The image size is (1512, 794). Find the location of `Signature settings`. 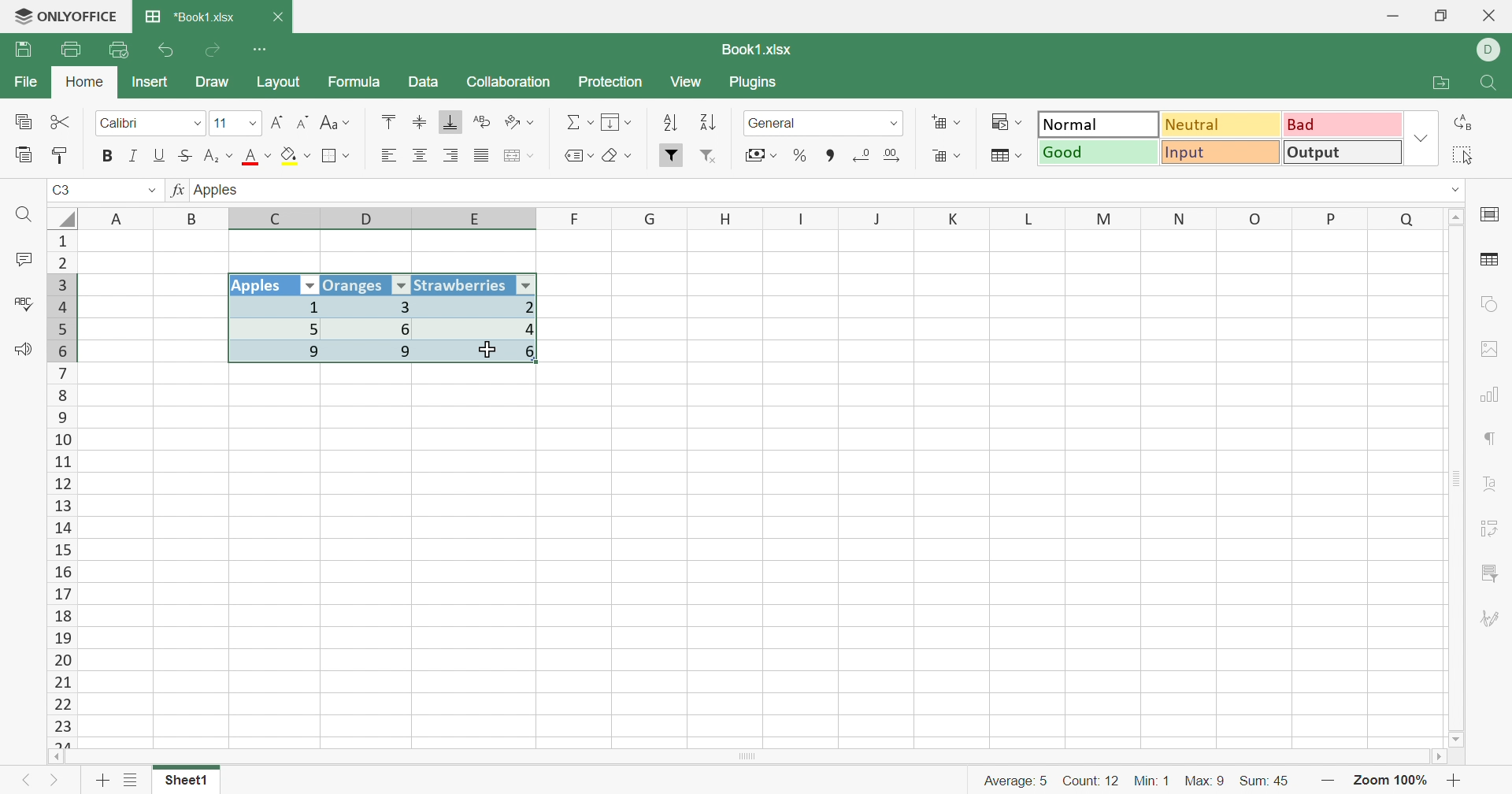

Signature settings is located at coordinates (1490, 619).